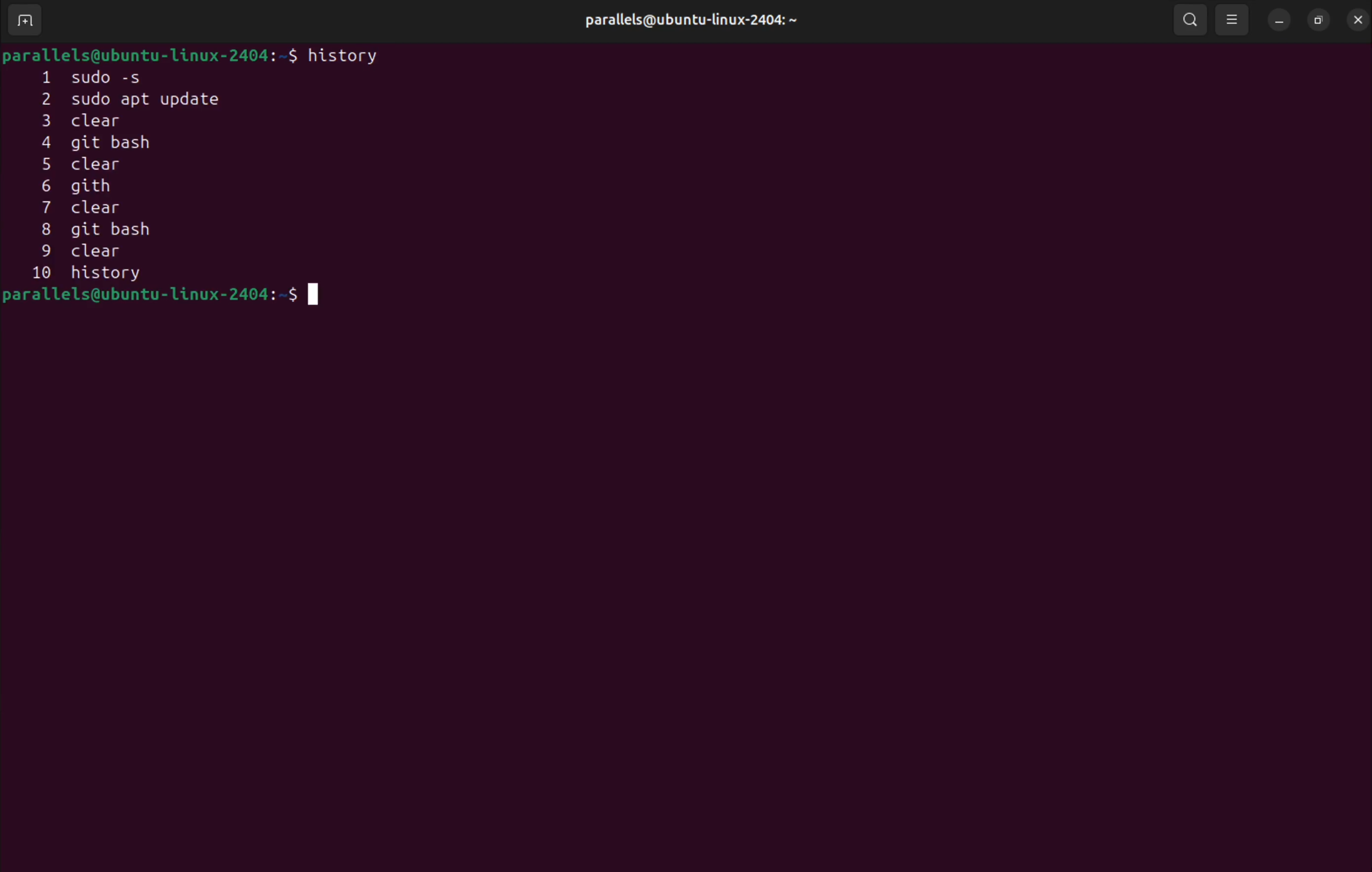 The height and width of the screenshot is (872, 1372). Describe the element at coordinates (91, 273) in the screenshot. I see `10.history` at that location.